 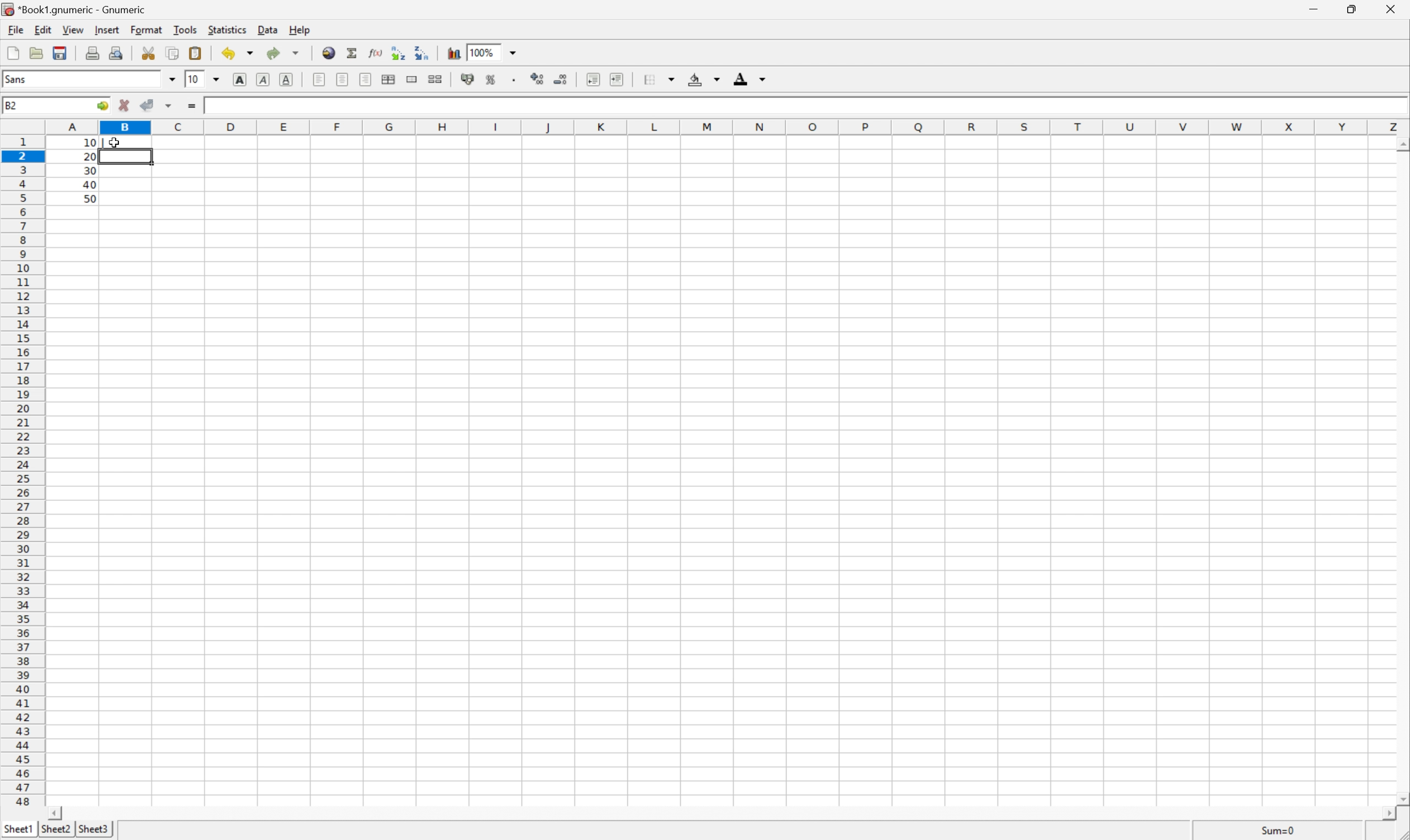 What do you see at coordinates (36, 53) in the screenshot?
I see `Open a file` at bounding box center [36, 53].